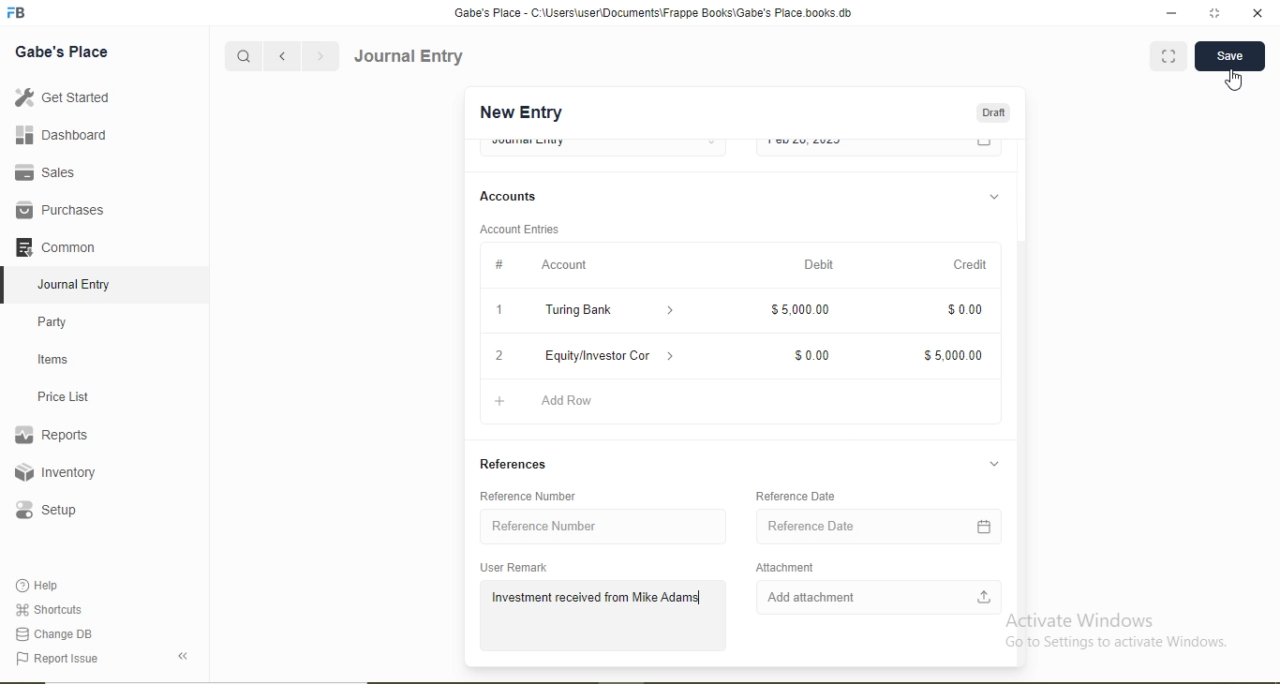 The height and width of the screenshot is (684, 1280). I want to click on Shortcuts, so click(47, 609).